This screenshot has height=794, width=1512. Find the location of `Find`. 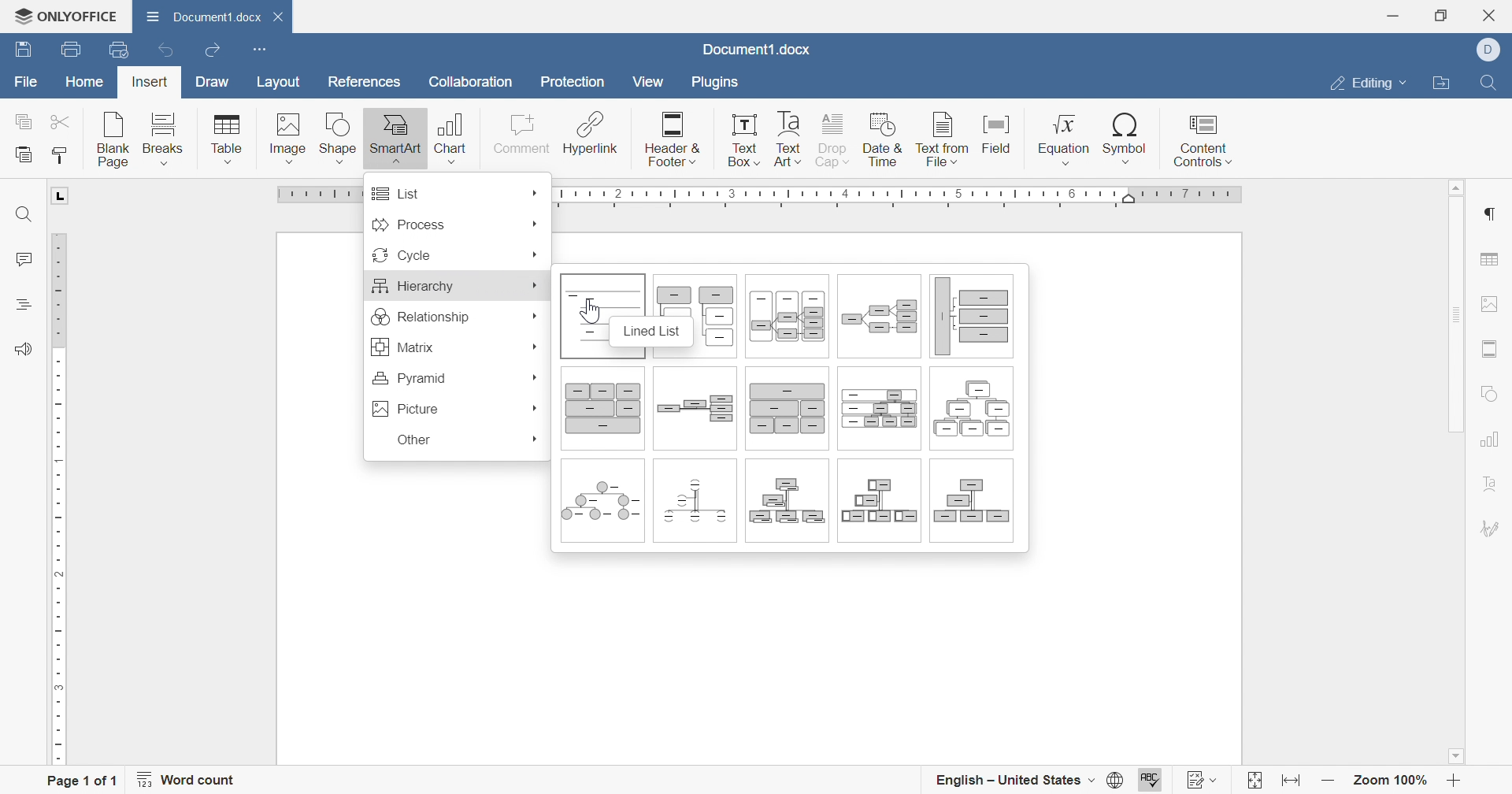

Find is located at coordinates (21, 215).